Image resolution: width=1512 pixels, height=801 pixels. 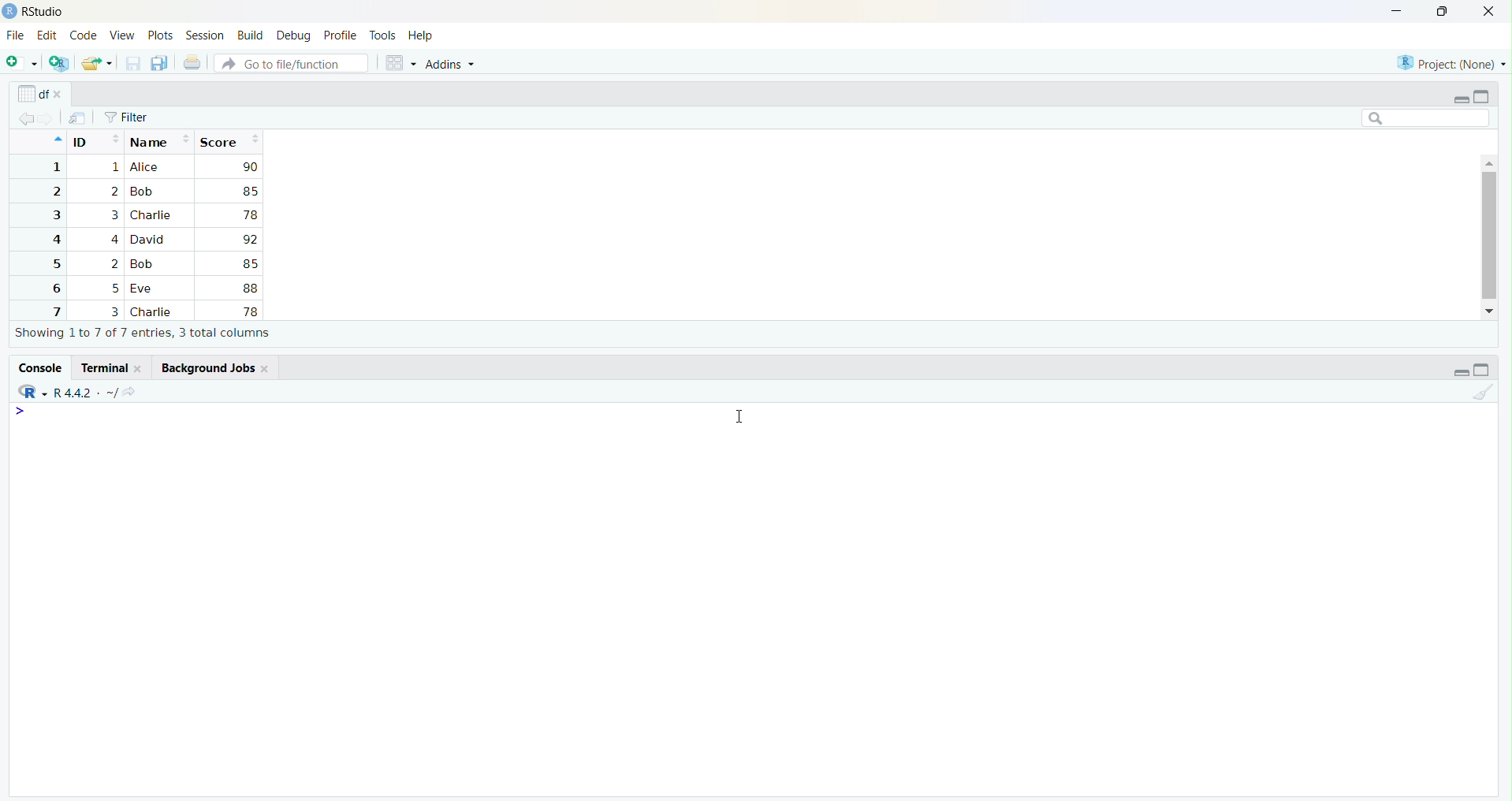 What do you see at coordinates (1488, 12) in the screenshot?
I see `close` at bounding box center [1488, 12].